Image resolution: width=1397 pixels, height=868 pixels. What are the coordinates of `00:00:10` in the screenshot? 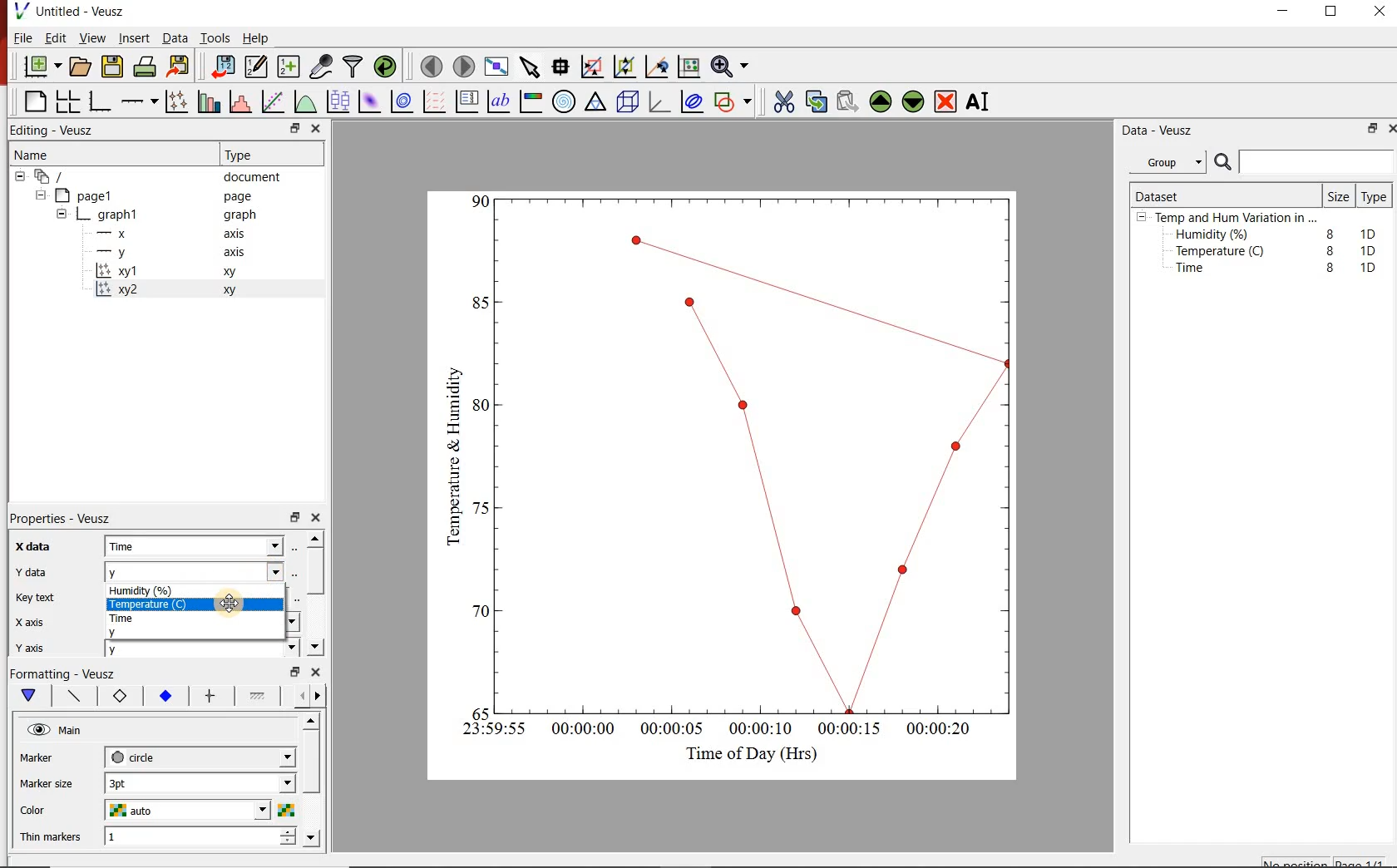 It's located at (759, 727).